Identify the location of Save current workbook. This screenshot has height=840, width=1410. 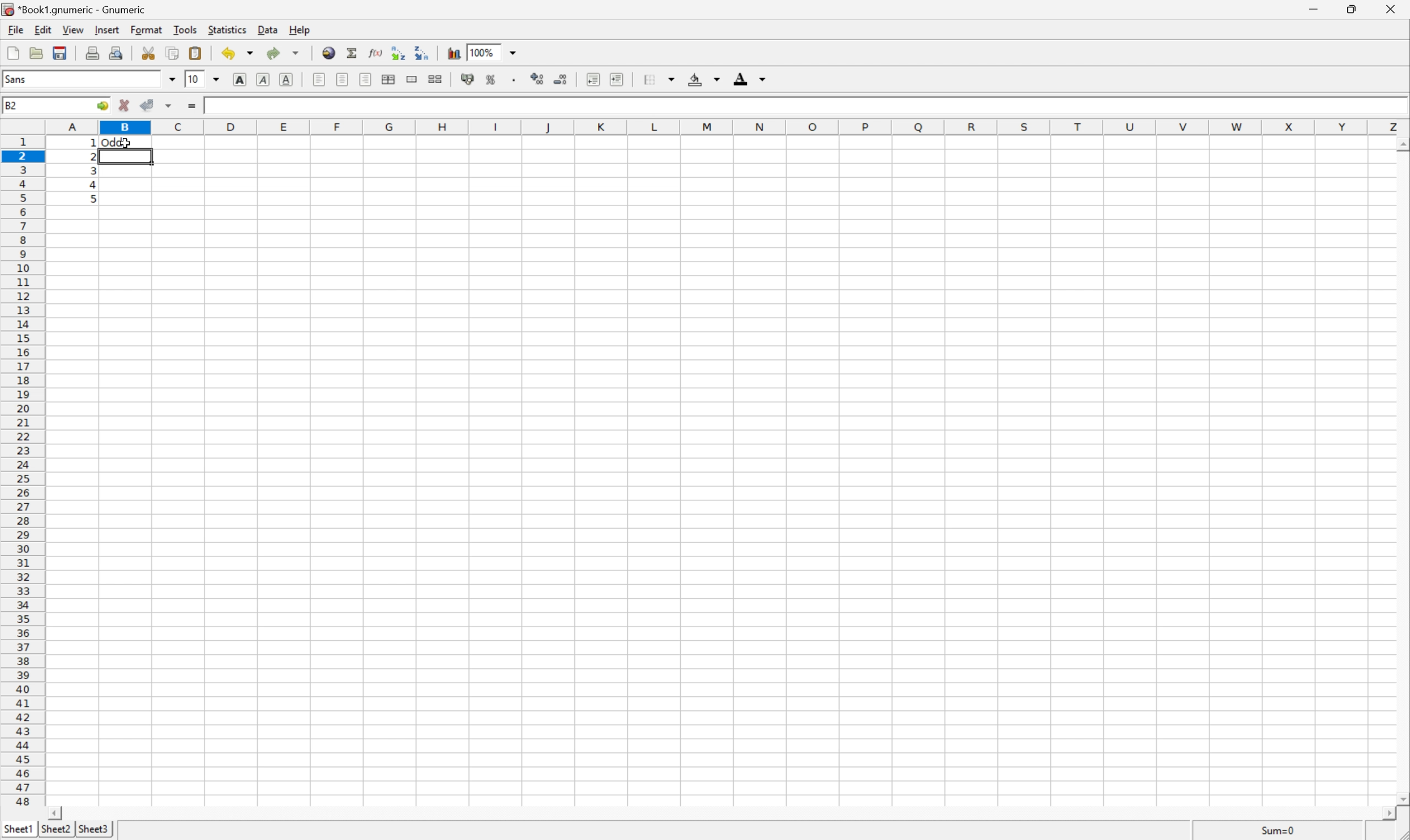
(59, 52).